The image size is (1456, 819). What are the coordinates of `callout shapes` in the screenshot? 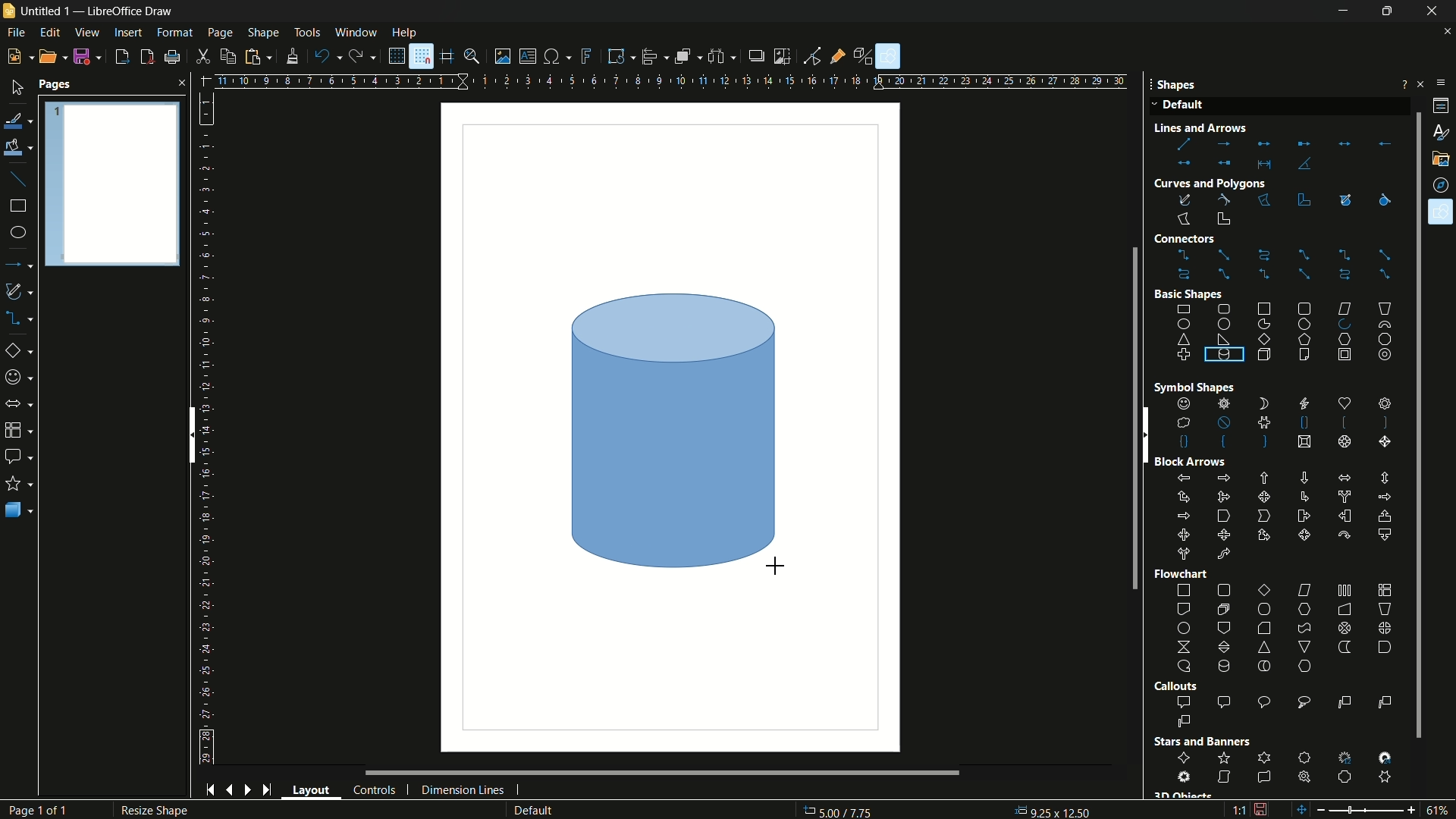 It's located at (17, 456).